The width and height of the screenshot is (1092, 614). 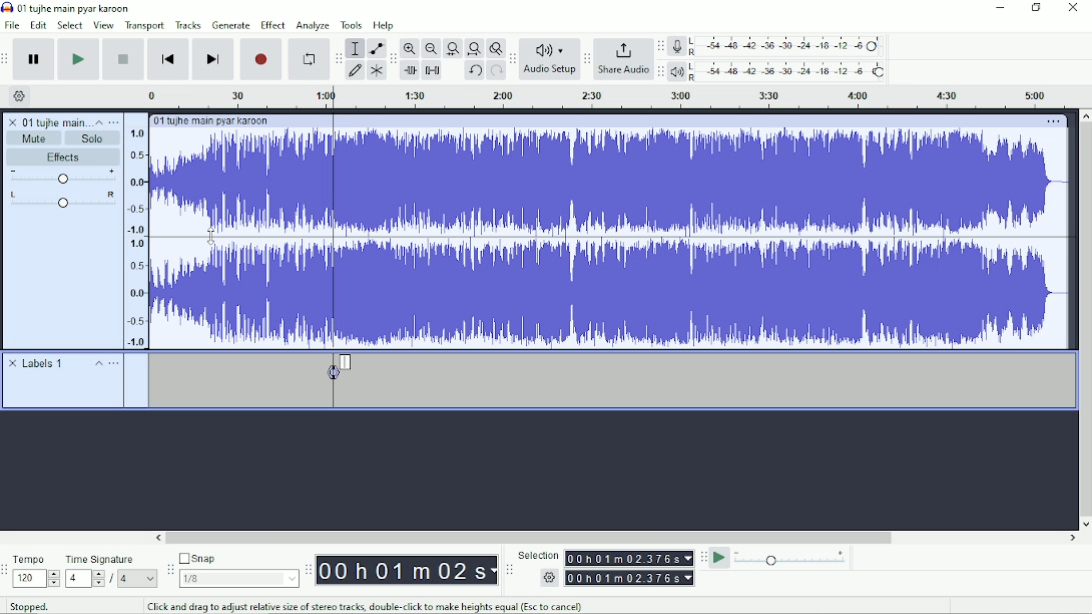 What do you see at coordinates (114, 362) in the screenshot?
I see `Open menu` at bounding box center [114, 362].